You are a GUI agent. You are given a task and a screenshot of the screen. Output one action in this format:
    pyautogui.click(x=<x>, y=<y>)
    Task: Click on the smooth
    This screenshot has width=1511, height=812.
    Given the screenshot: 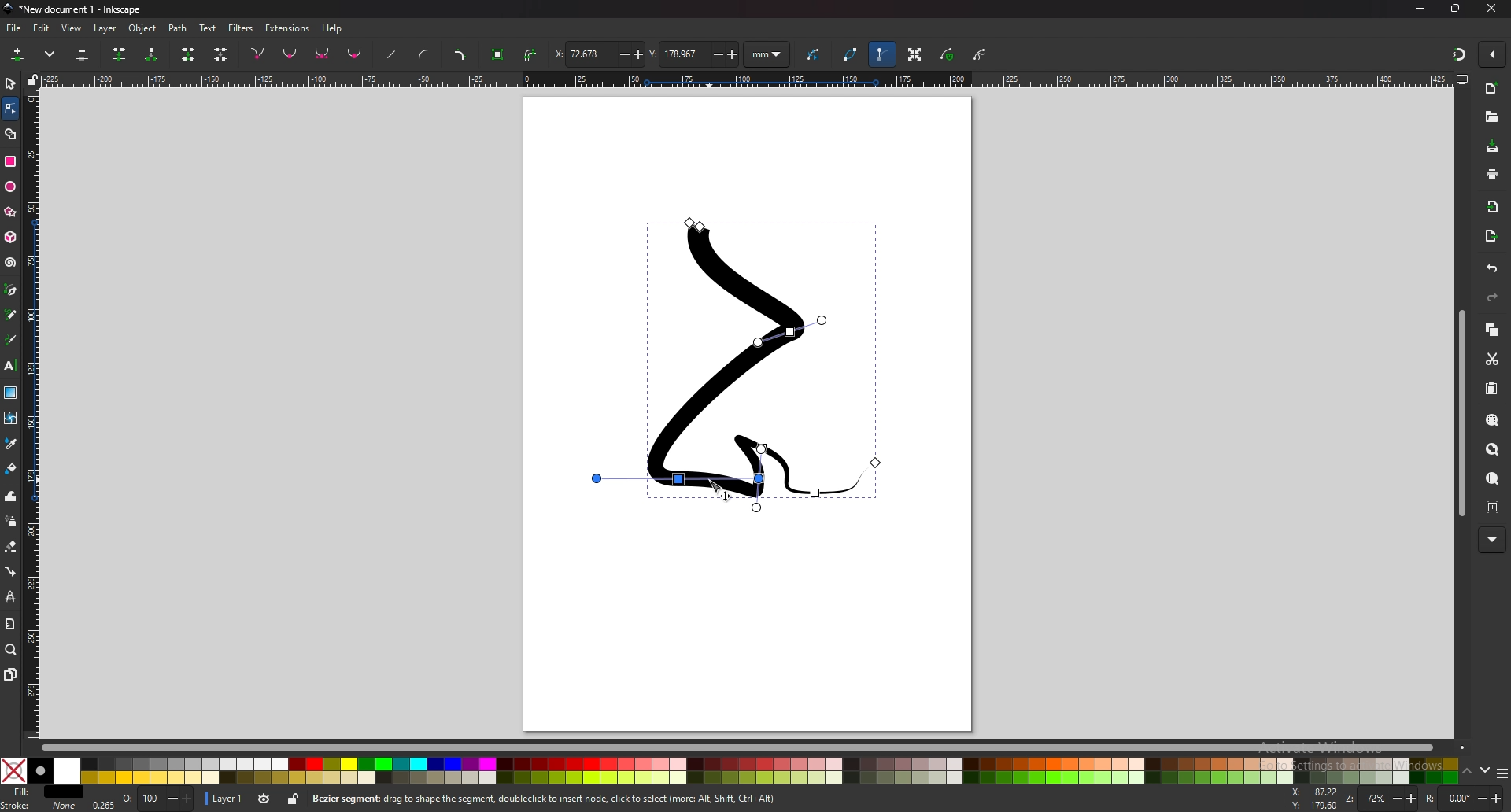 What is the action you would take?
    pyautogui.click(x=291, y=54)
    